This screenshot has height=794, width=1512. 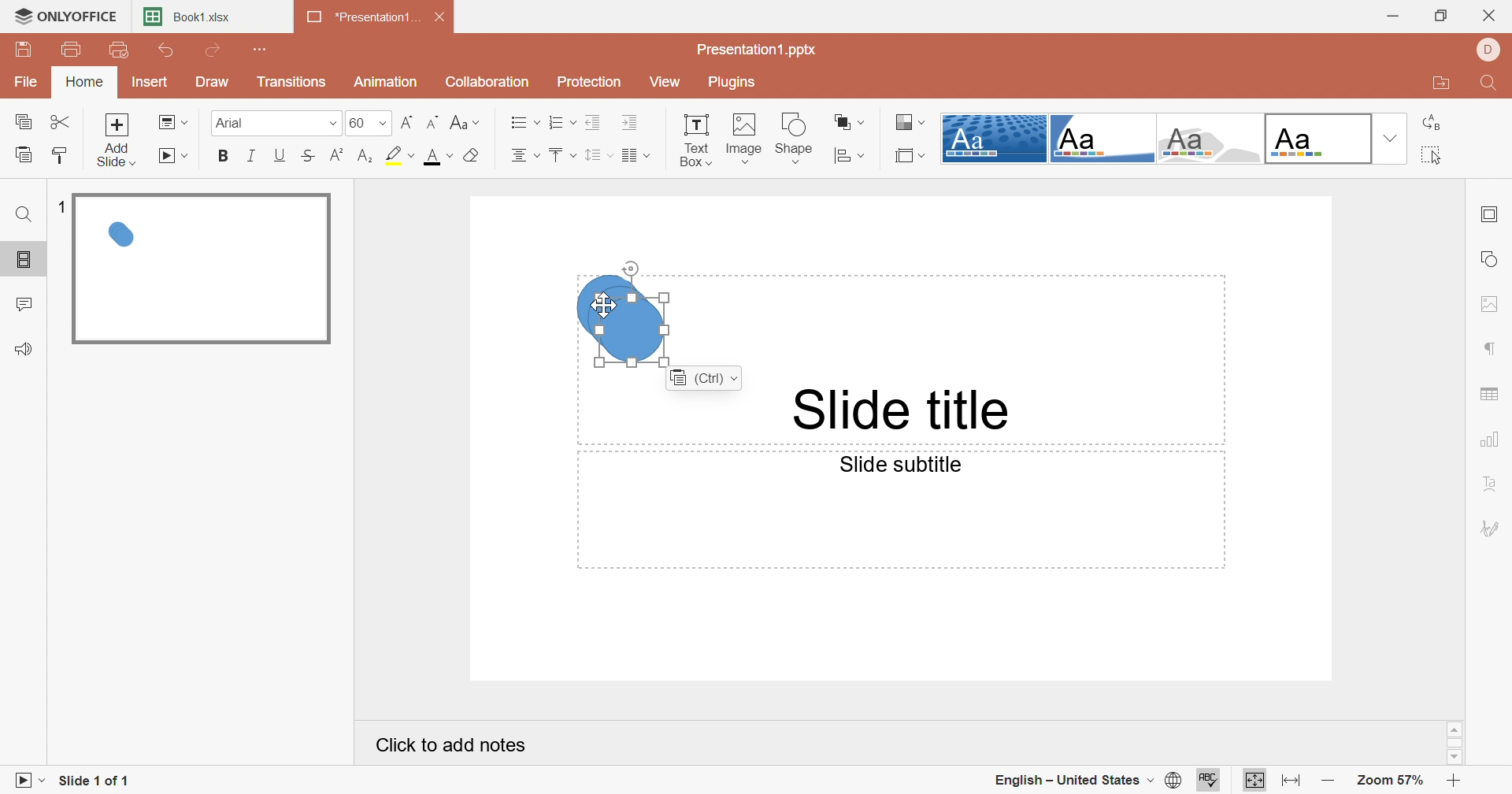 I want to click on (Ctrl), so click(x=704, y=378).